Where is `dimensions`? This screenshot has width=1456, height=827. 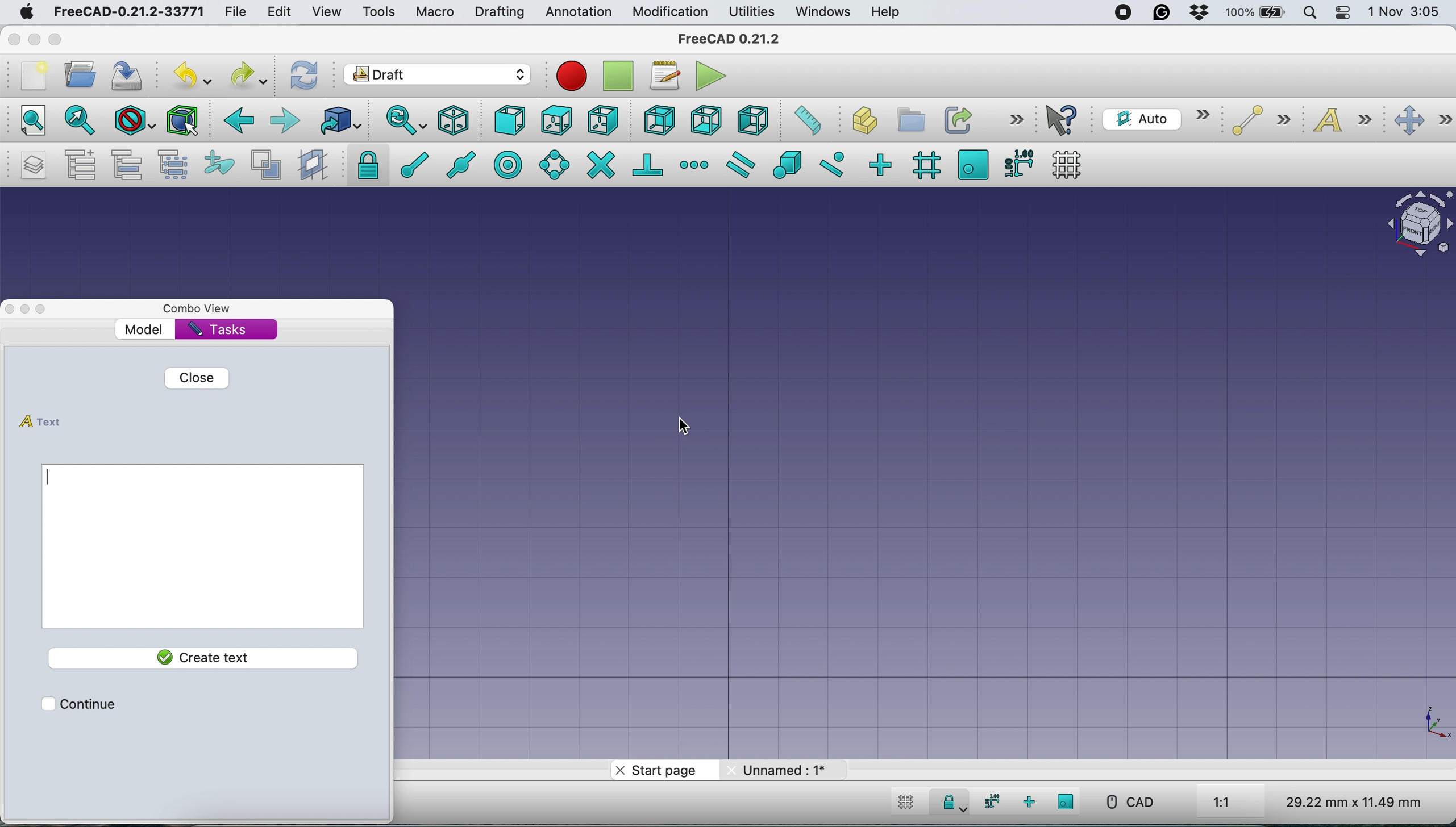 dimensions is located at coordinates (1350, 801).